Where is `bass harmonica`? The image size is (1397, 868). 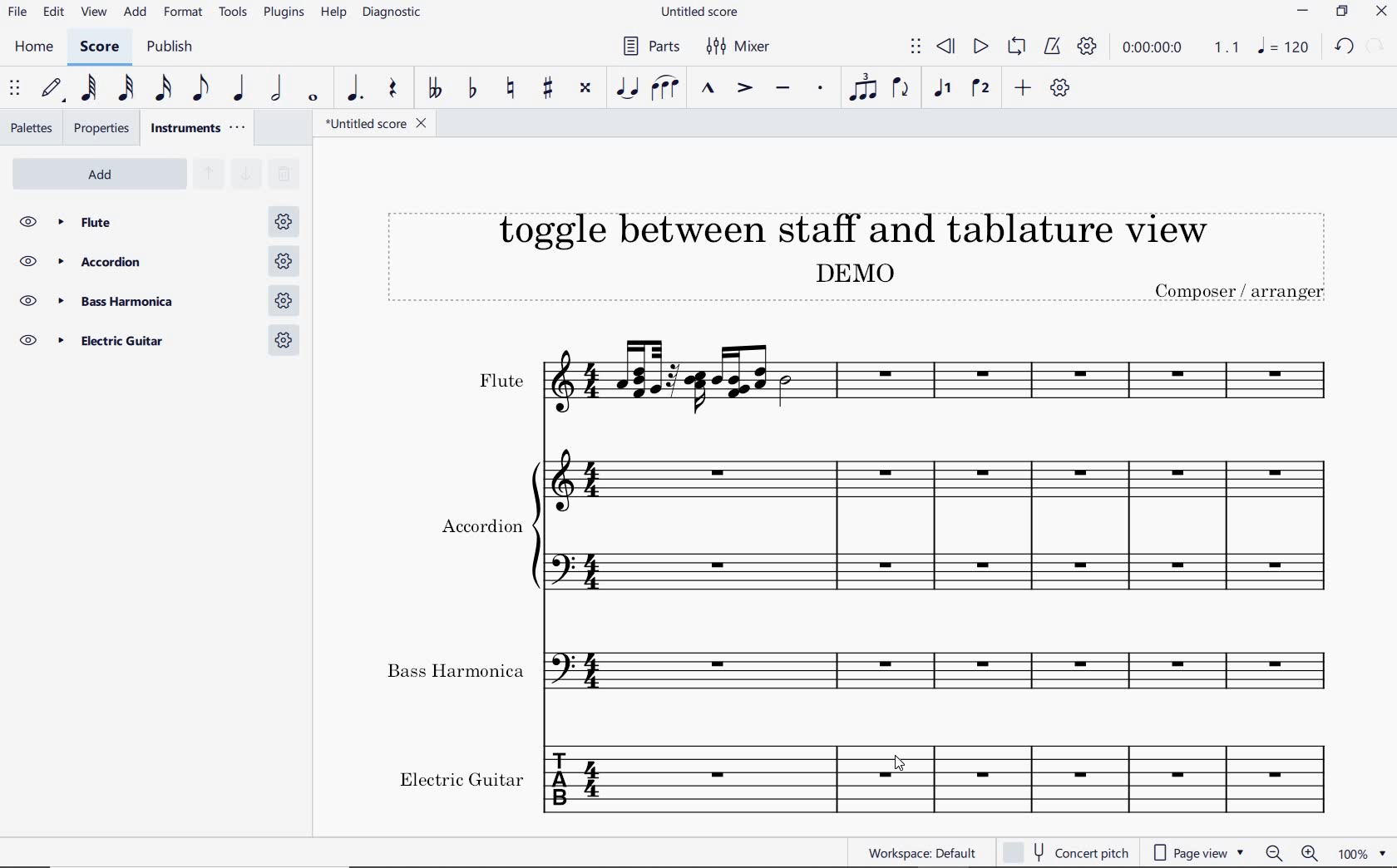
bass harmonica is located at coordinates (159, 301).